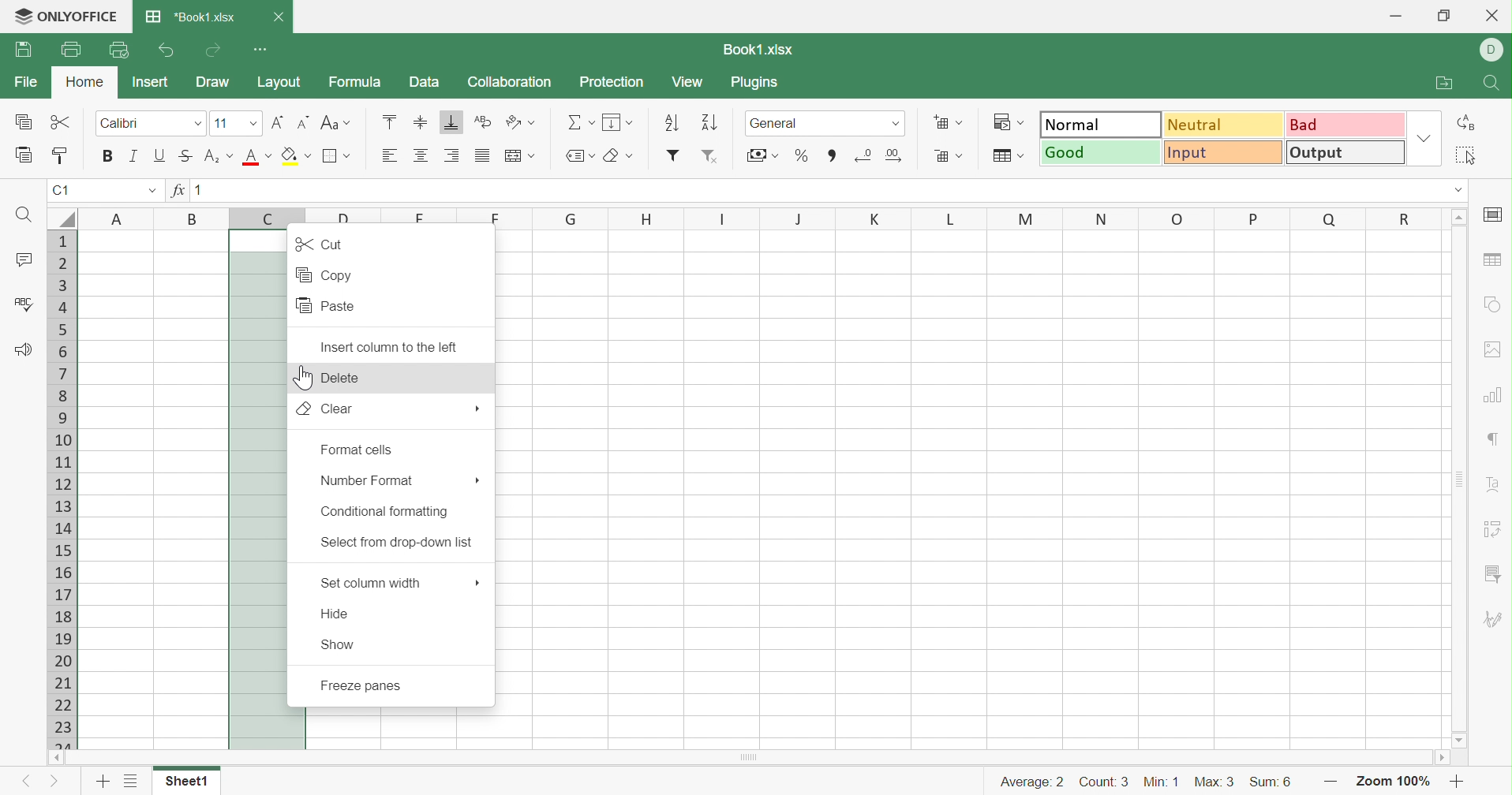 Image resolution: width=1512 pixels, height=795 pixels. What do you see at coordinates (107, 159) in the screenshot?
I see `Bold` at bounding box center [107, 159].